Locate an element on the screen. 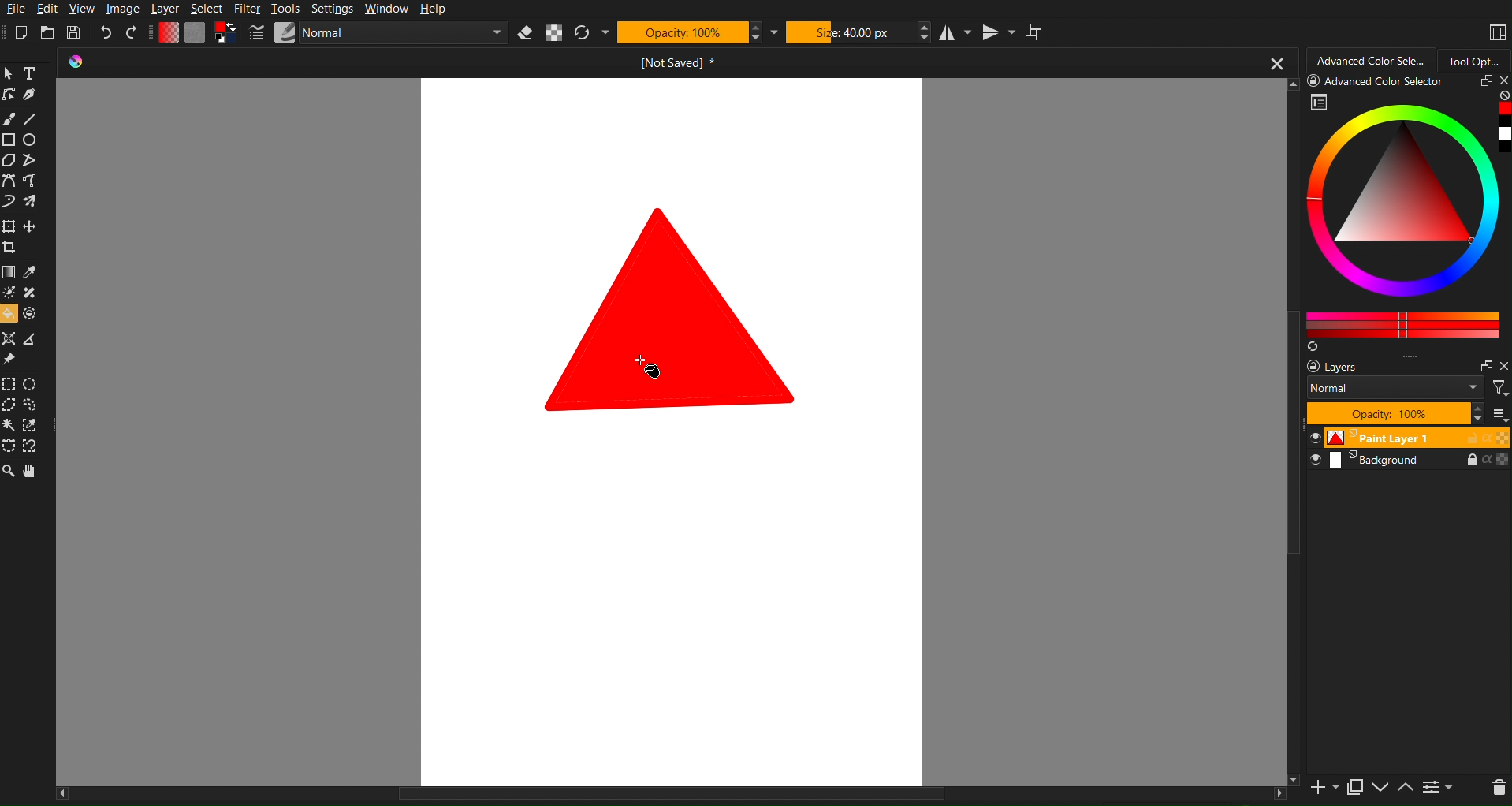 This screenshot has width=1512, height=806. Size: 40 px is located at coordinates (849, 32).